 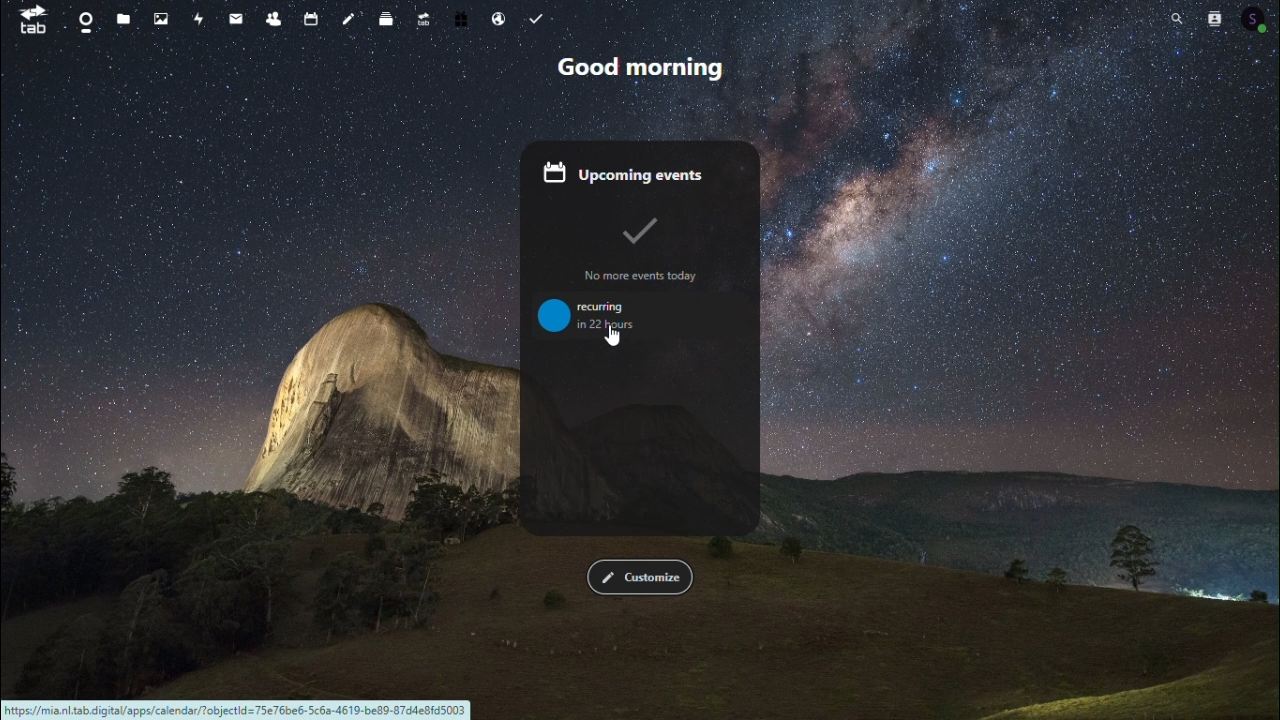 I want to click on Photos, so click(x=159, y=18).